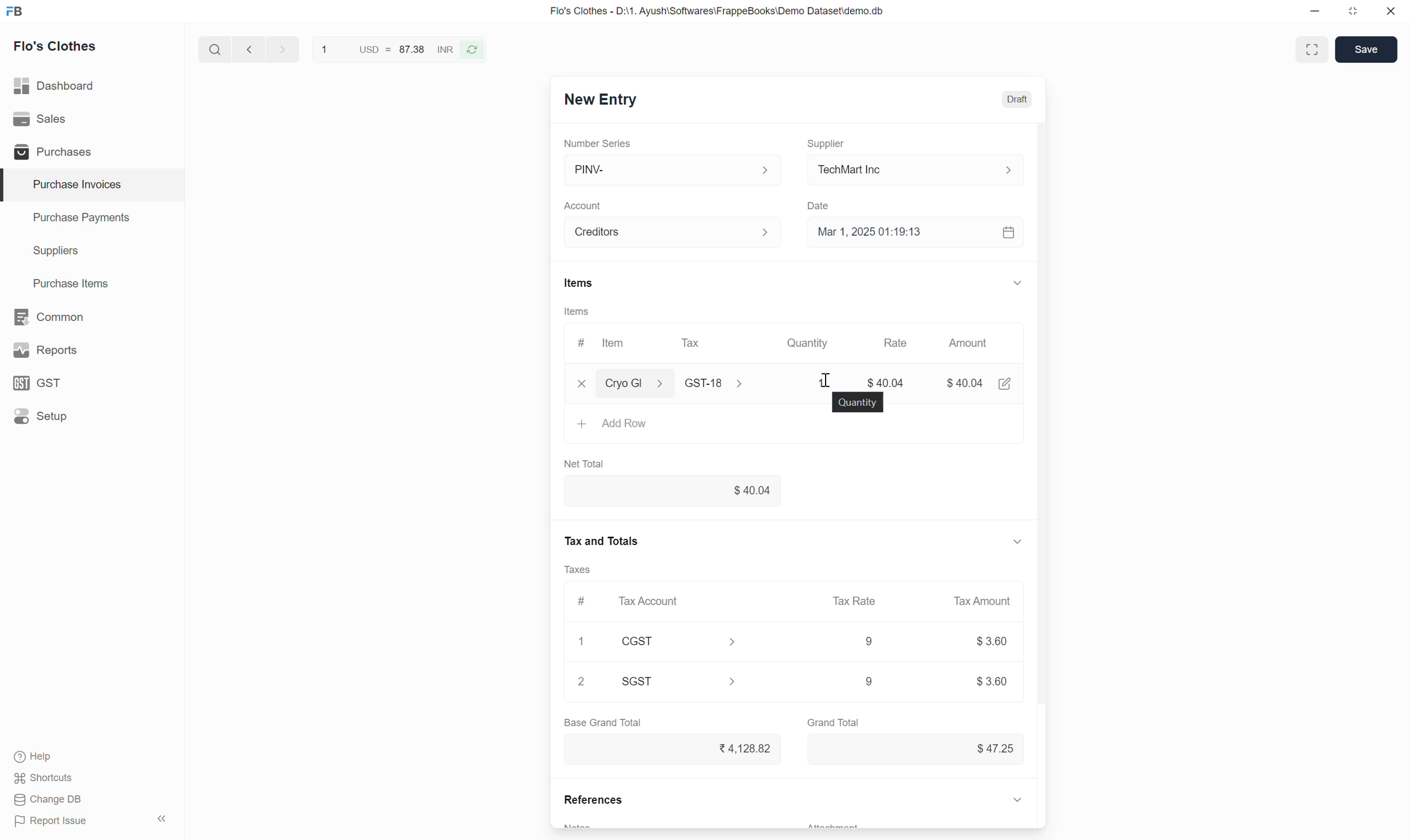 The width and height of the screenshot is (1410, 840). Describe the element at coordinates (1351, 14) in the screenshot. I see `restore down` at that location.